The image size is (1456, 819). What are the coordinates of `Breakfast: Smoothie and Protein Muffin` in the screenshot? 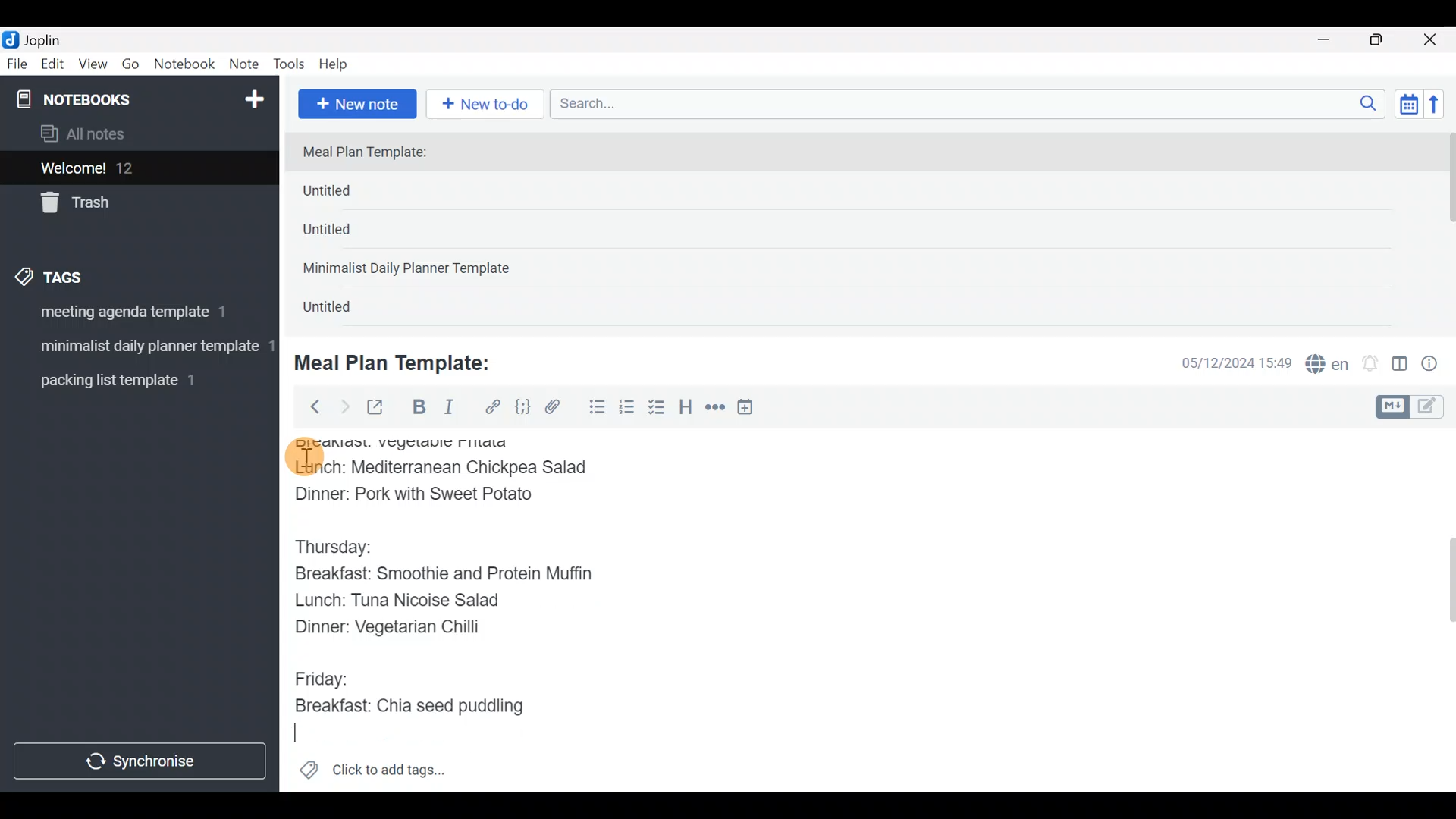 It's located at (447, 577).